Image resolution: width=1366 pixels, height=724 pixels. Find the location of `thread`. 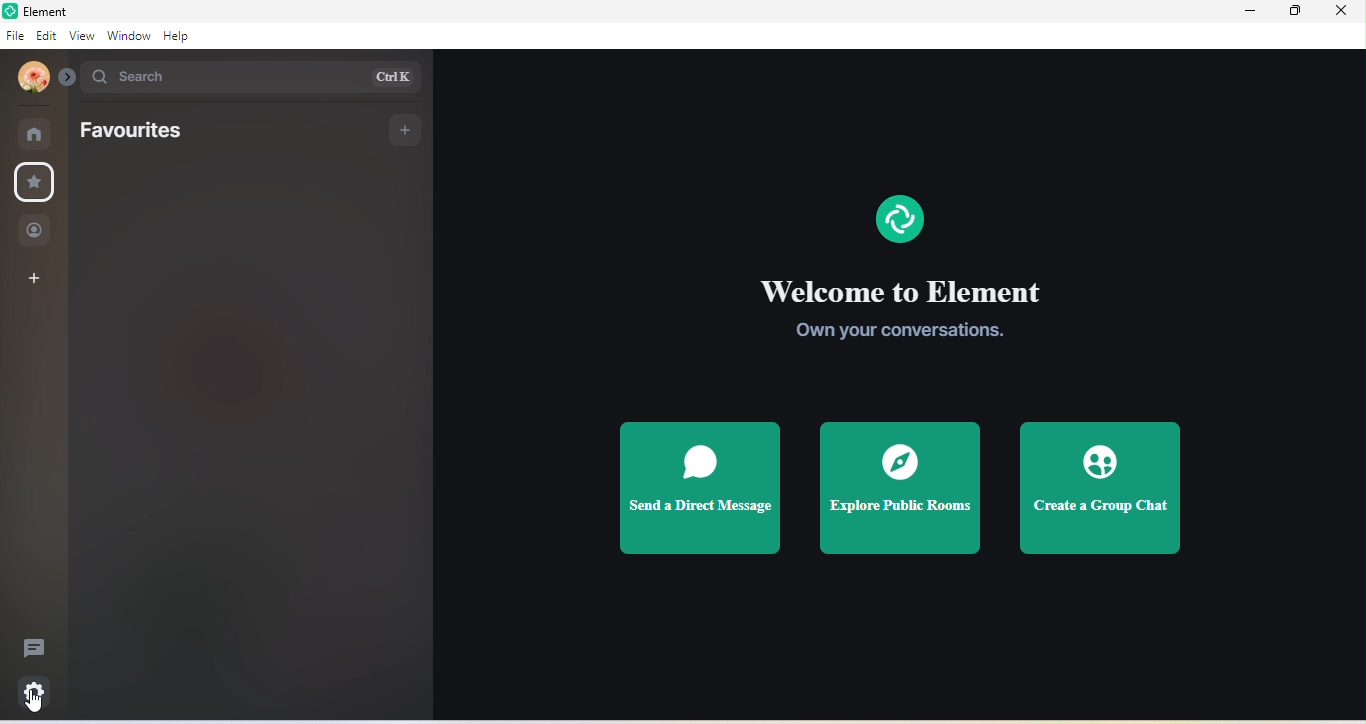

thread is located at coordinates (32, 645).